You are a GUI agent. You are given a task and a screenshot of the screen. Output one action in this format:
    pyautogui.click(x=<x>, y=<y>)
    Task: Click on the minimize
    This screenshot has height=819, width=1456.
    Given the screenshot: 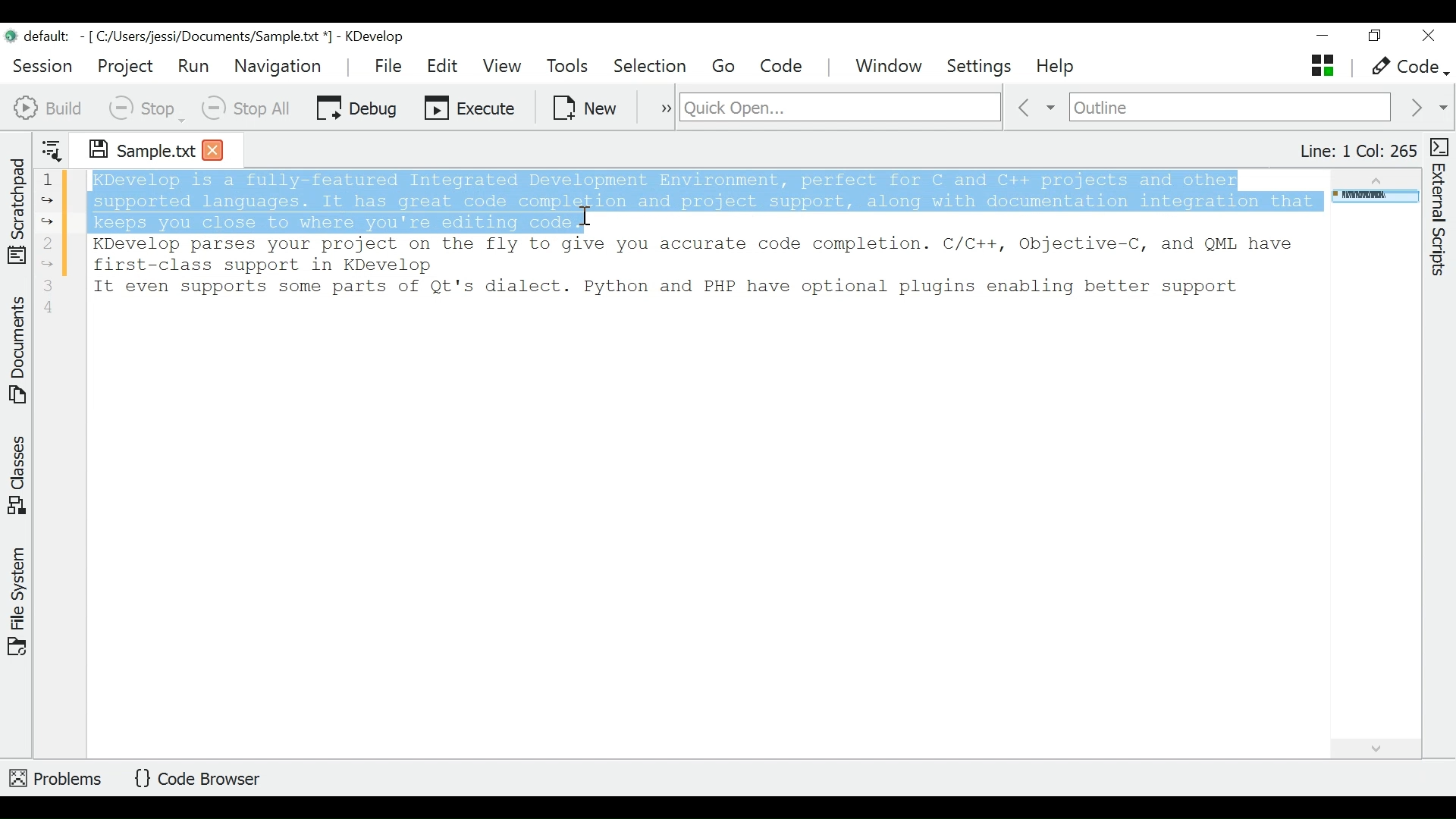 What is the action you would take?
    pyautogui.click(x=1325, y=37)
    